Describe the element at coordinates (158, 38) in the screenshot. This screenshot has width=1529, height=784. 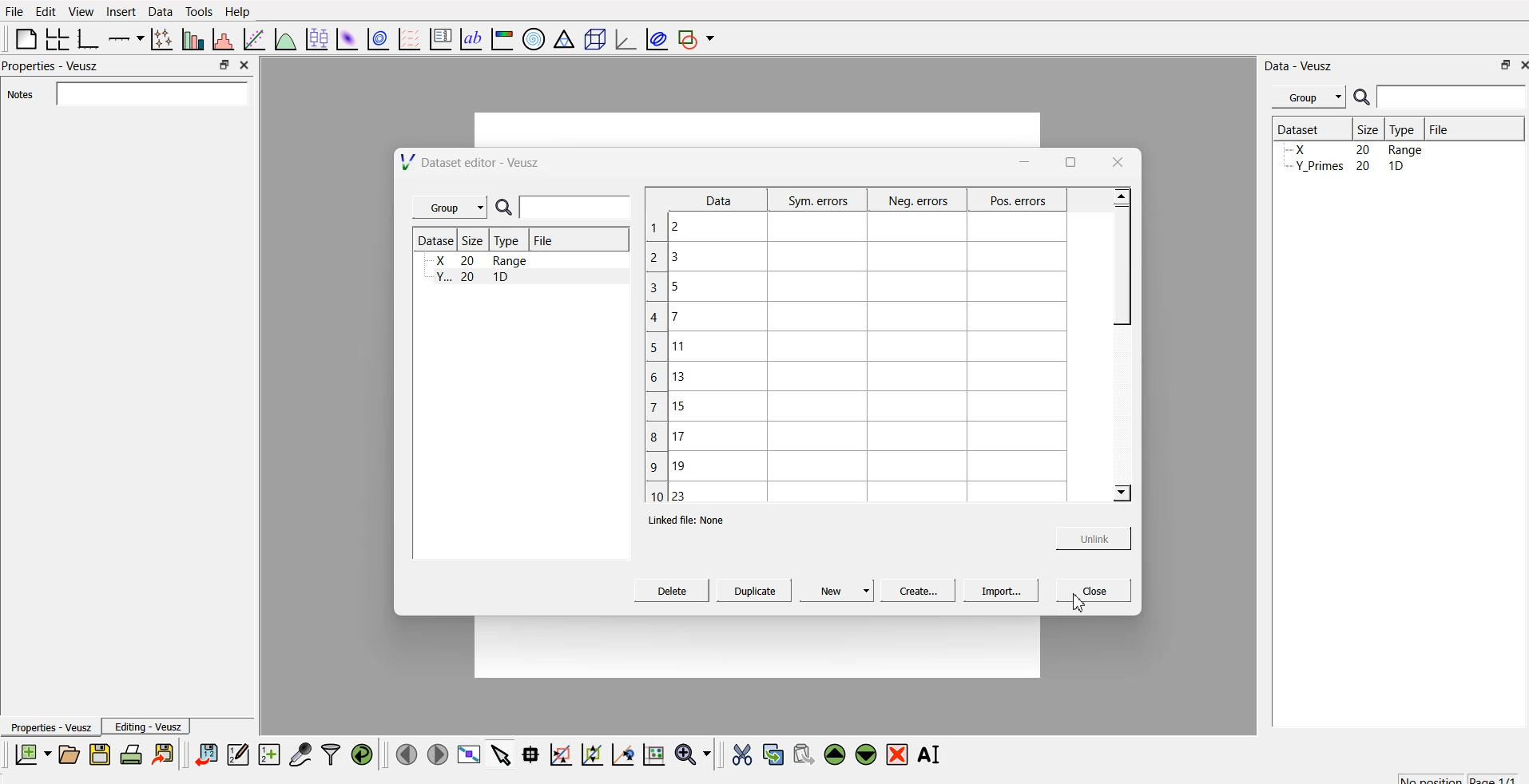
I see `plot points` at that location.